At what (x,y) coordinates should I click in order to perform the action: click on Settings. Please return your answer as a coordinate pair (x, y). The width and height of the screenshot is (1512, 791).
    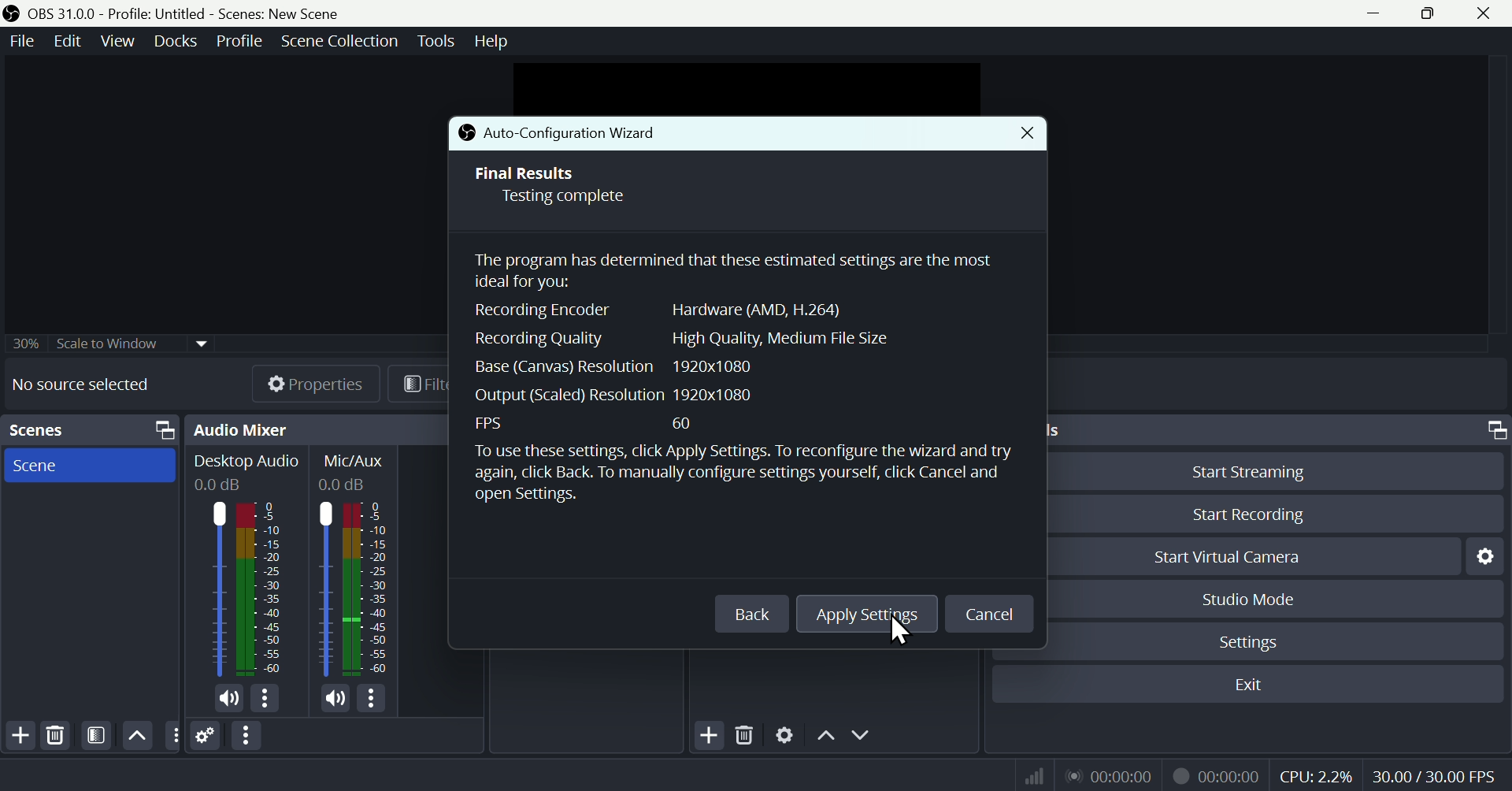
    Looking at the image, I should click on (206, 735).